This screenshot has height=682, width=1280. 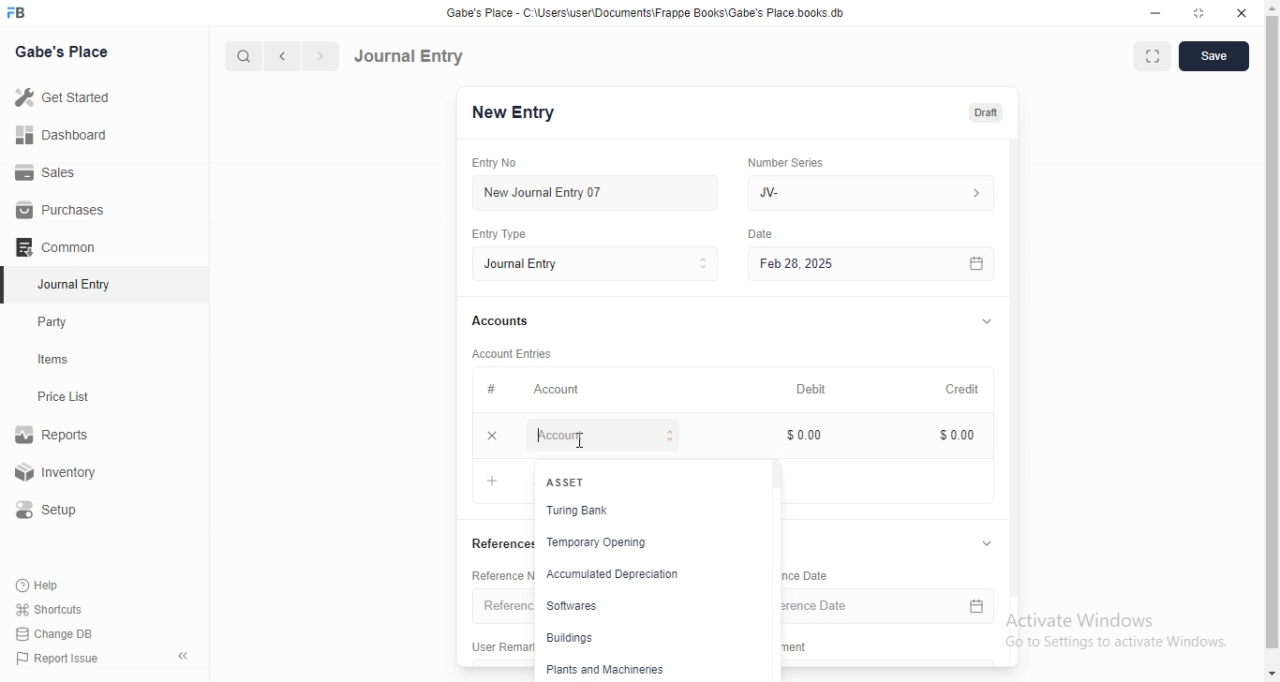 What do you see at coordinates (569, 482) in the screenshot?
I see `ASSET` at bounding box center [569, 482].